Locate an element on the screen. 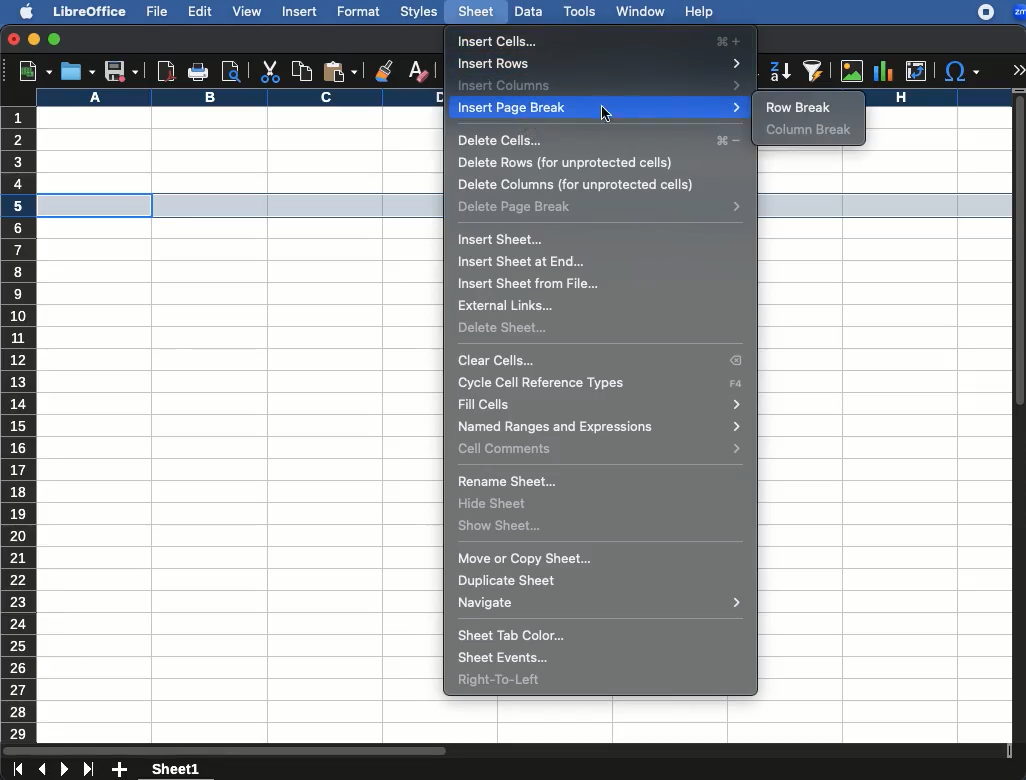 The width and height of the screenshot is (1026, 780). insert sheet at end is located at coordinates (528, 262).